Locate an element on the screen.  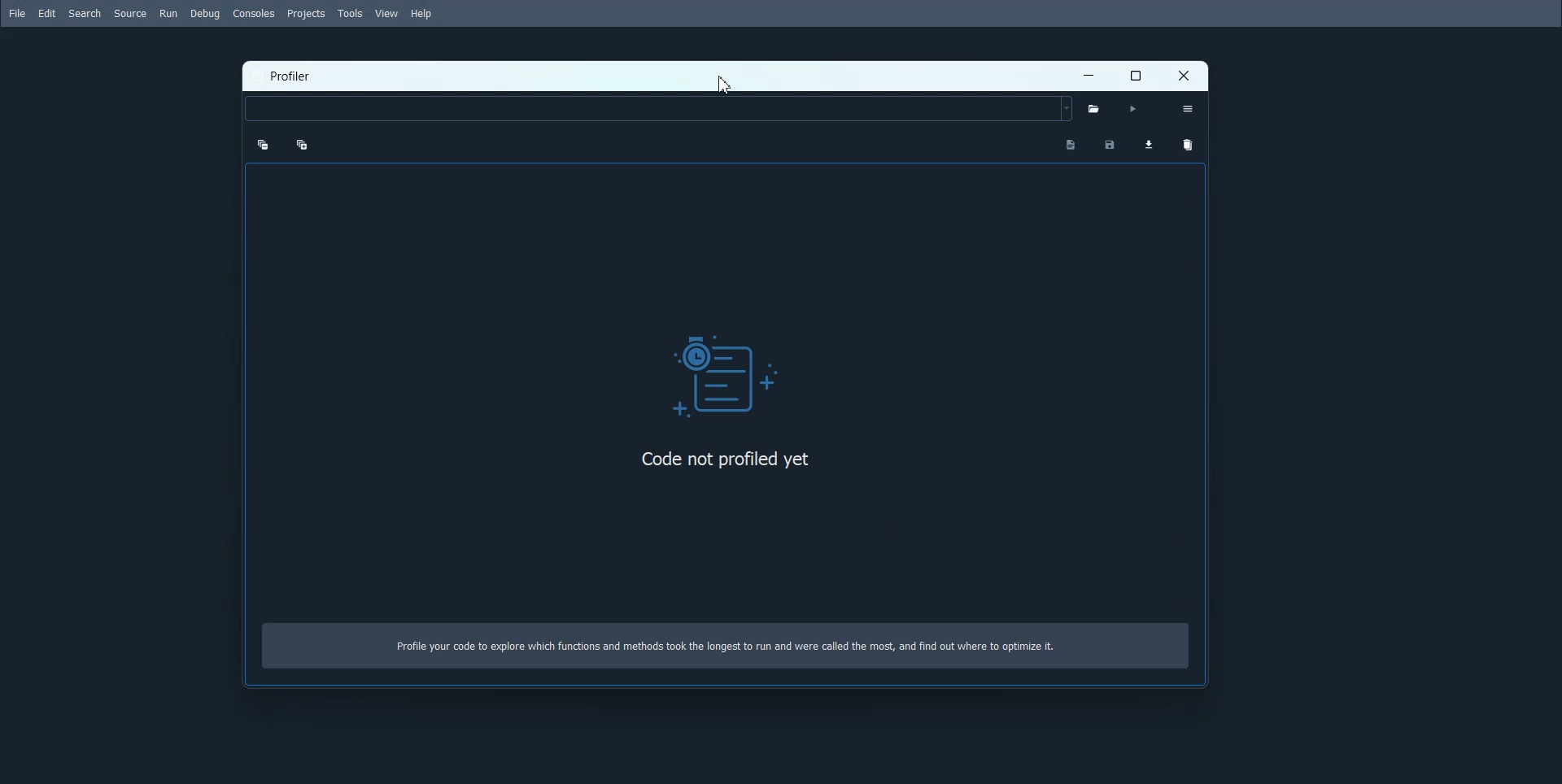
Collapse one level up is located at coordinates (263, 144).